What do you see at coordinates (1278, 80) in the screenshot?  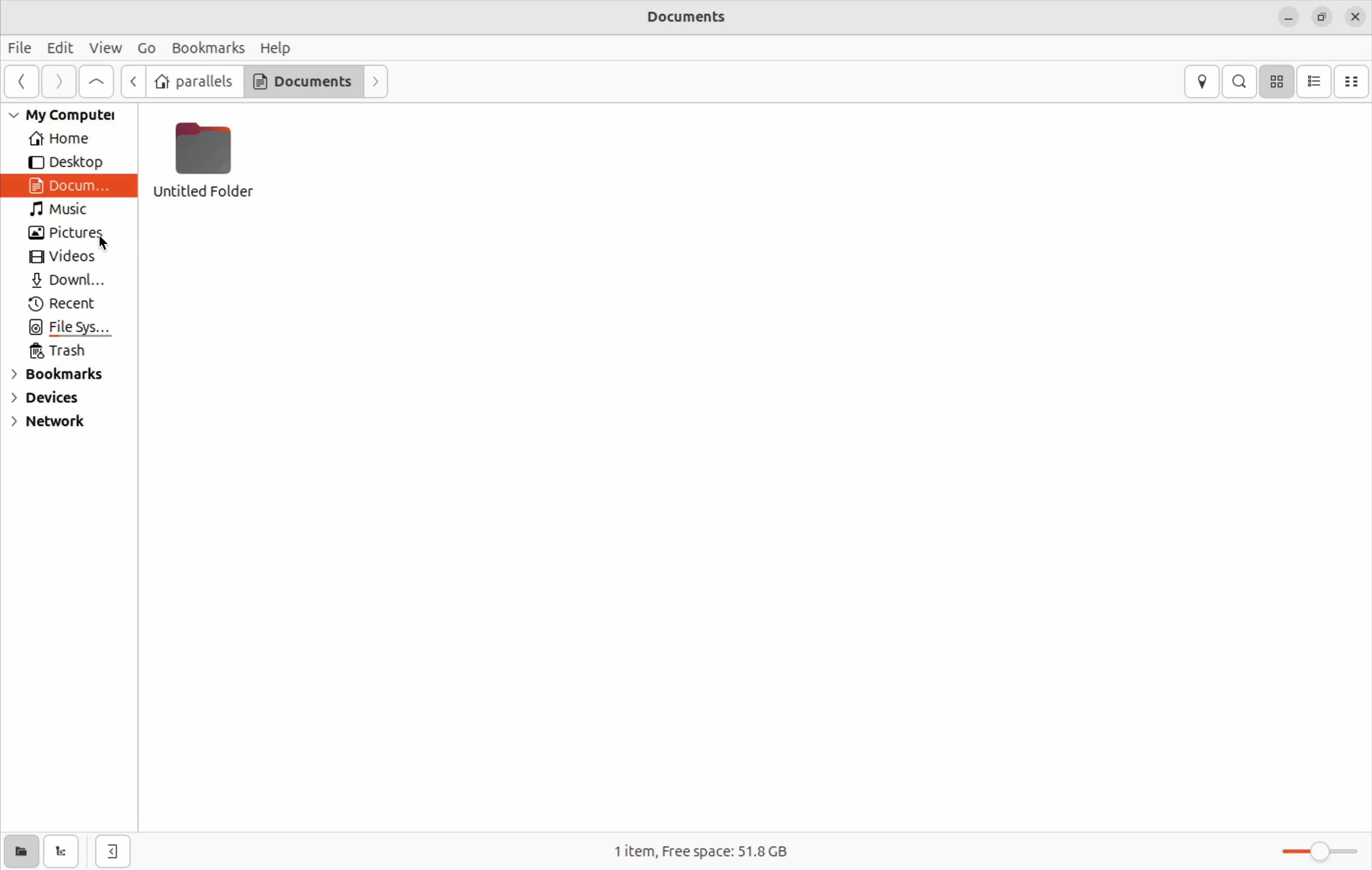 I see `icon view` at bounding box center [1278, 80].